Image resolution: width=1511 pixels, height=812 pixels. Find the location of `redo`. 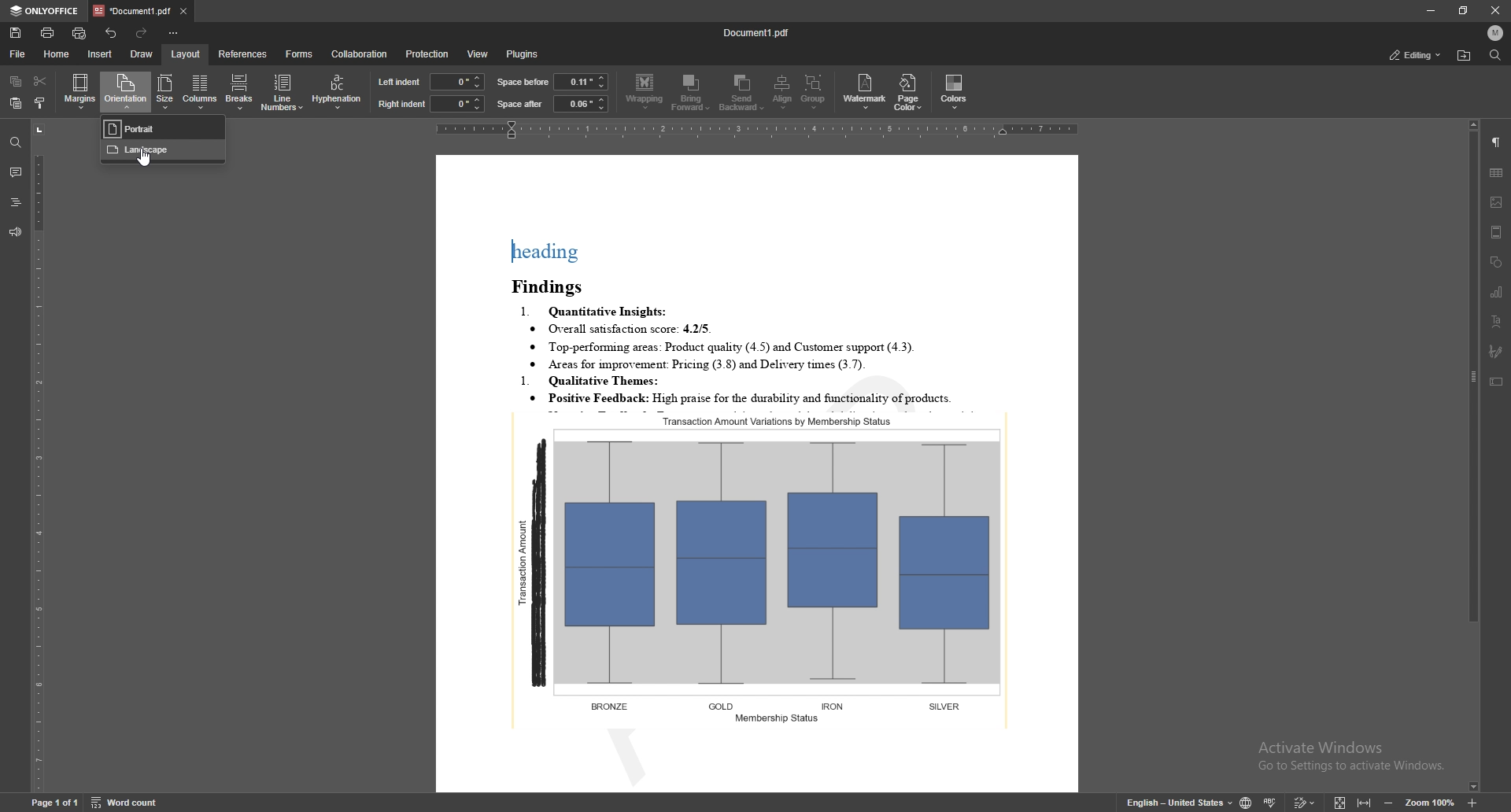

redo is located at coordinates (140, 32).